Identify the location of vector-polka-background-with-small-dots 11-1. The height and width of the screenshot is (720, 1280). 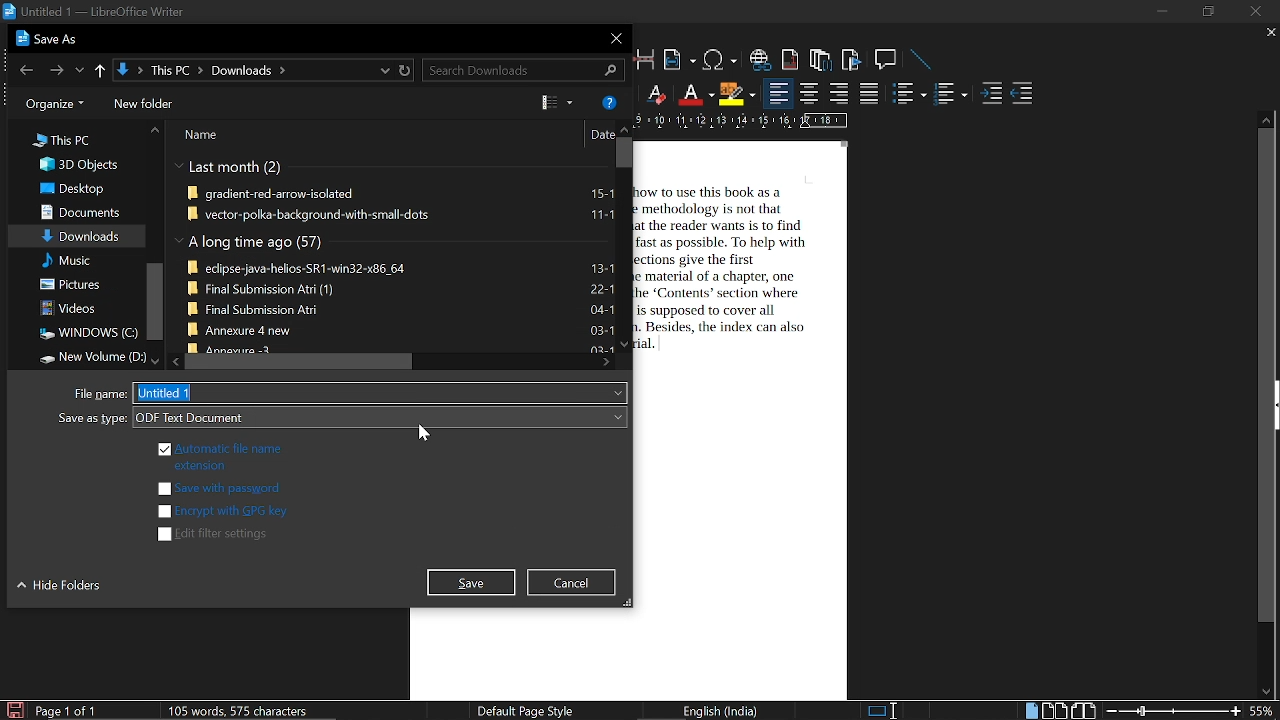
(401, 214).